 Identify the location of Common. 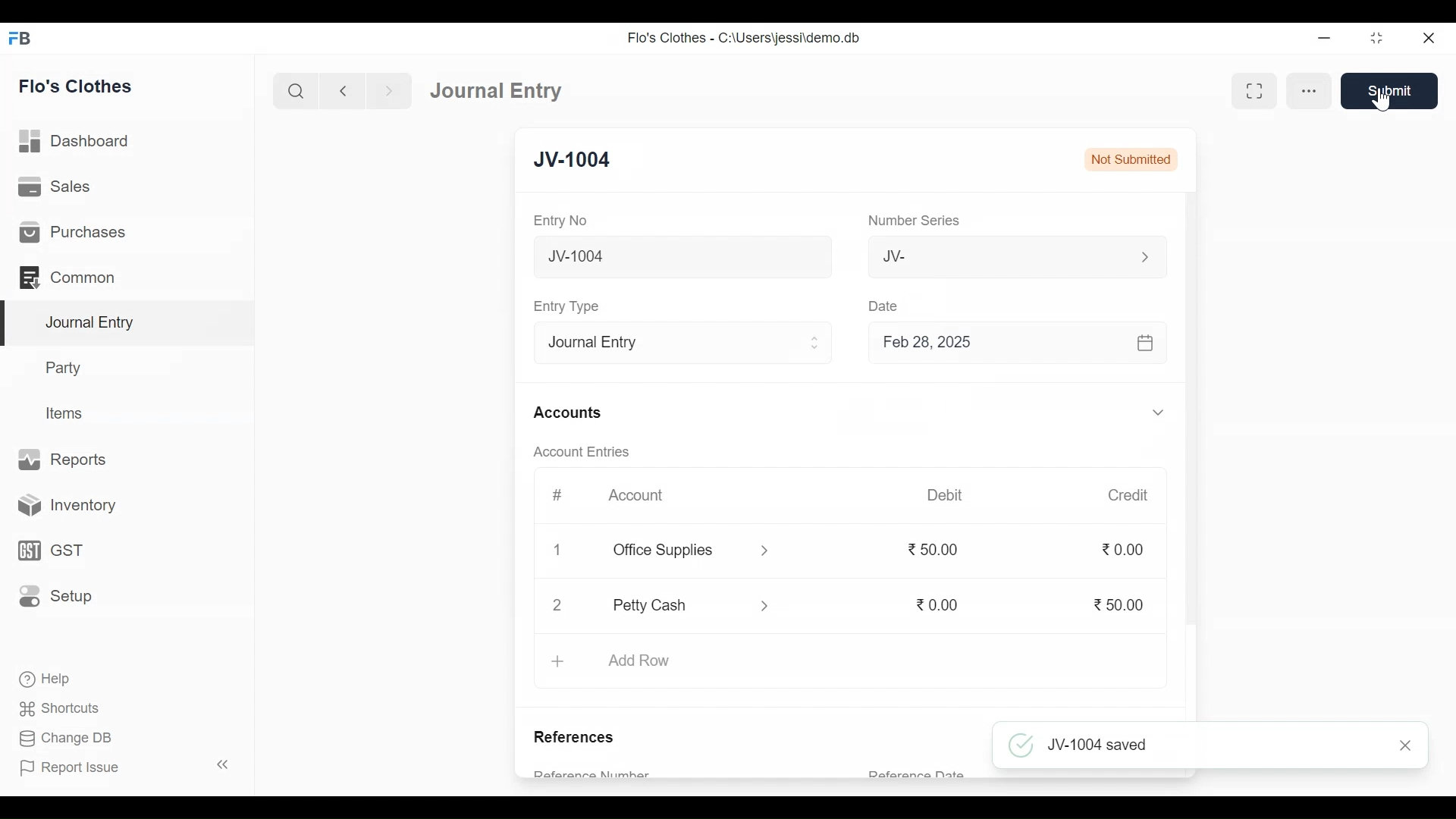
(70, 277).